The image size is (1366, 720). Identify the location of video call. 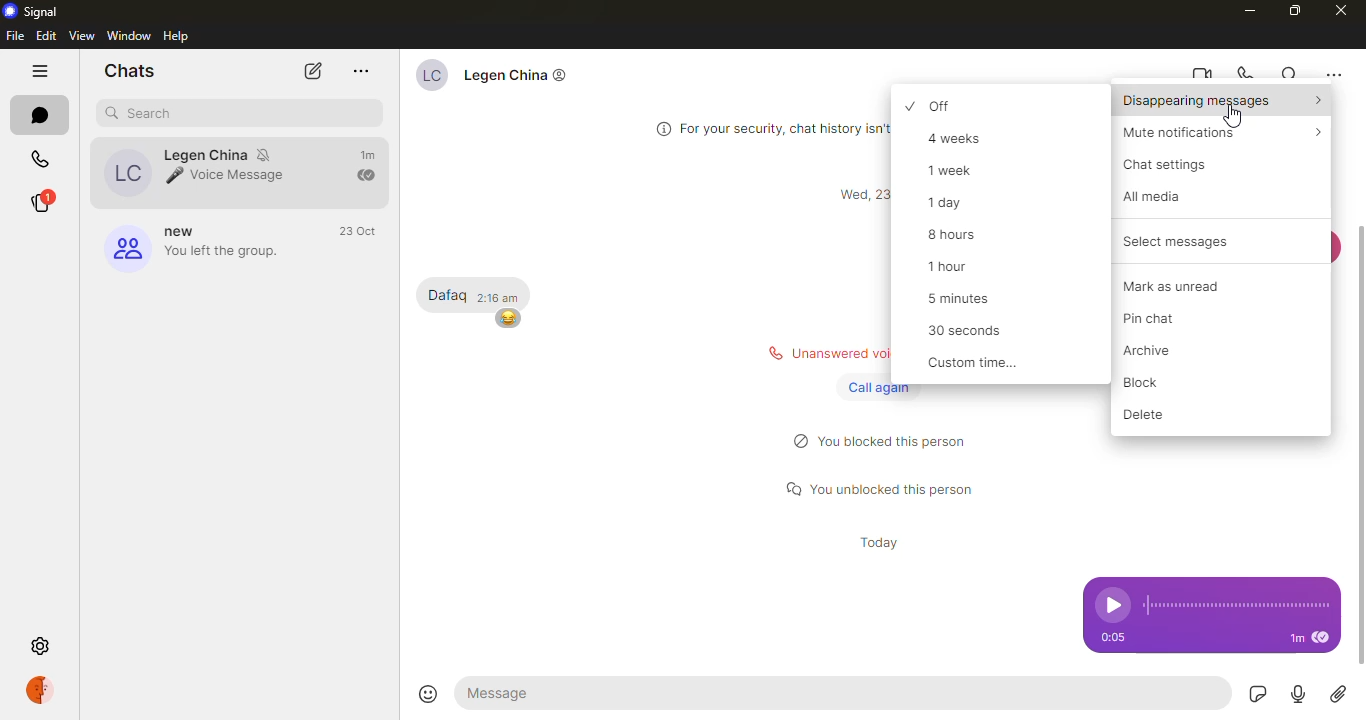
(1201, 74).